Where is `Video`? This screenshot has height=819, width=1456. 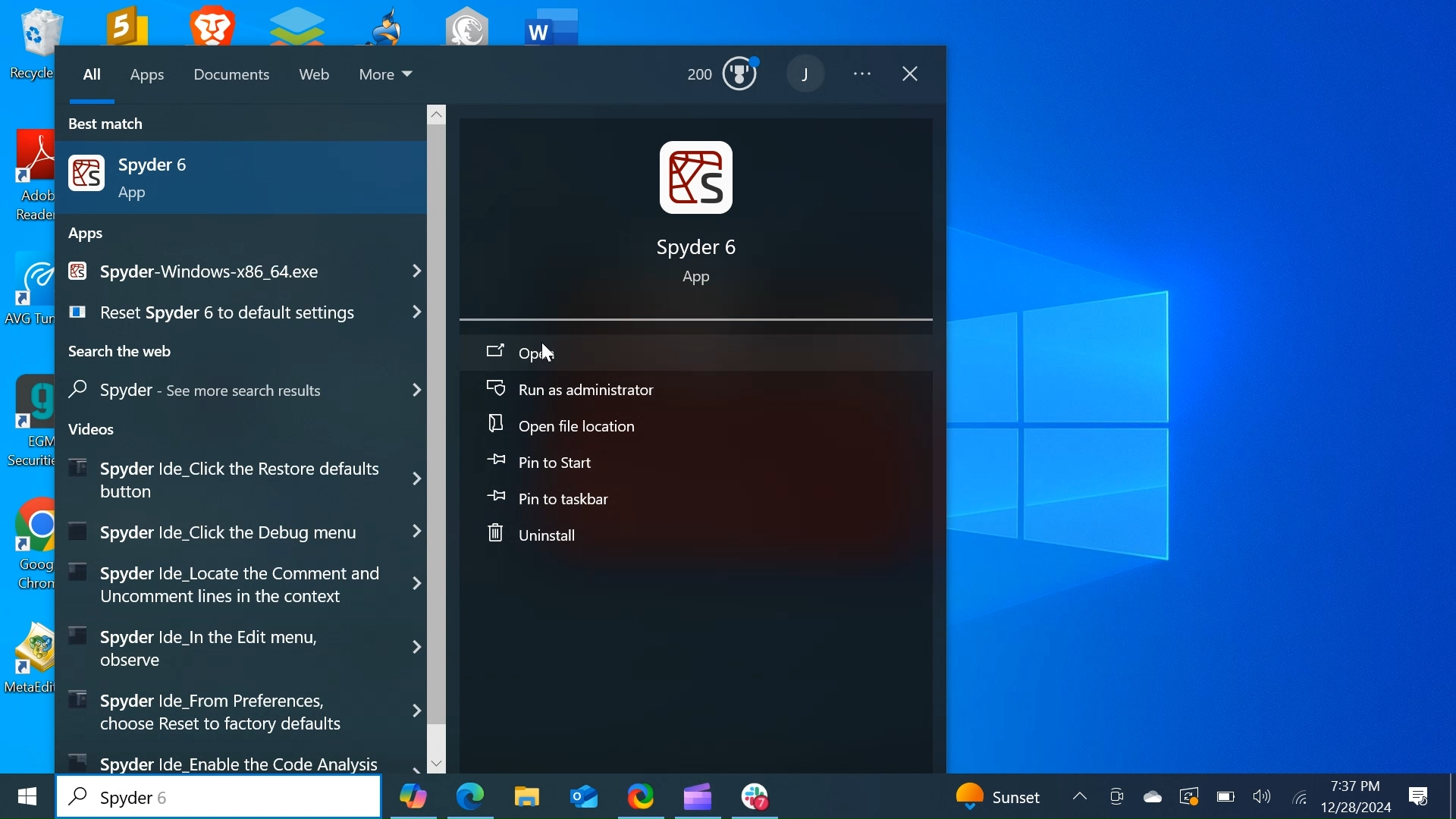
Video is located at coordinates (242, 477).